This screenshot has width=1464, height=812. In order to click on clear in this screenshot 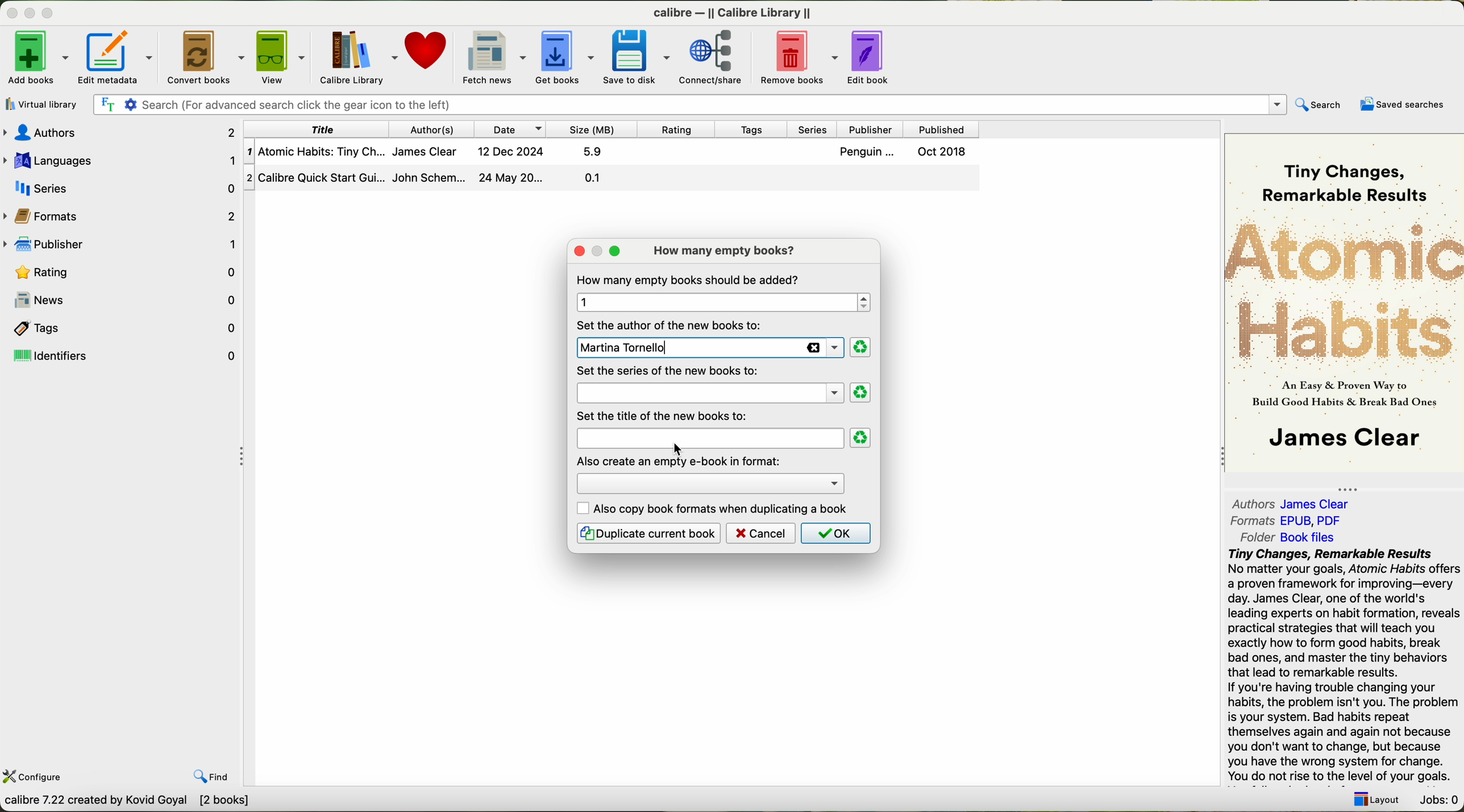, I will do `click(862, 393)`.